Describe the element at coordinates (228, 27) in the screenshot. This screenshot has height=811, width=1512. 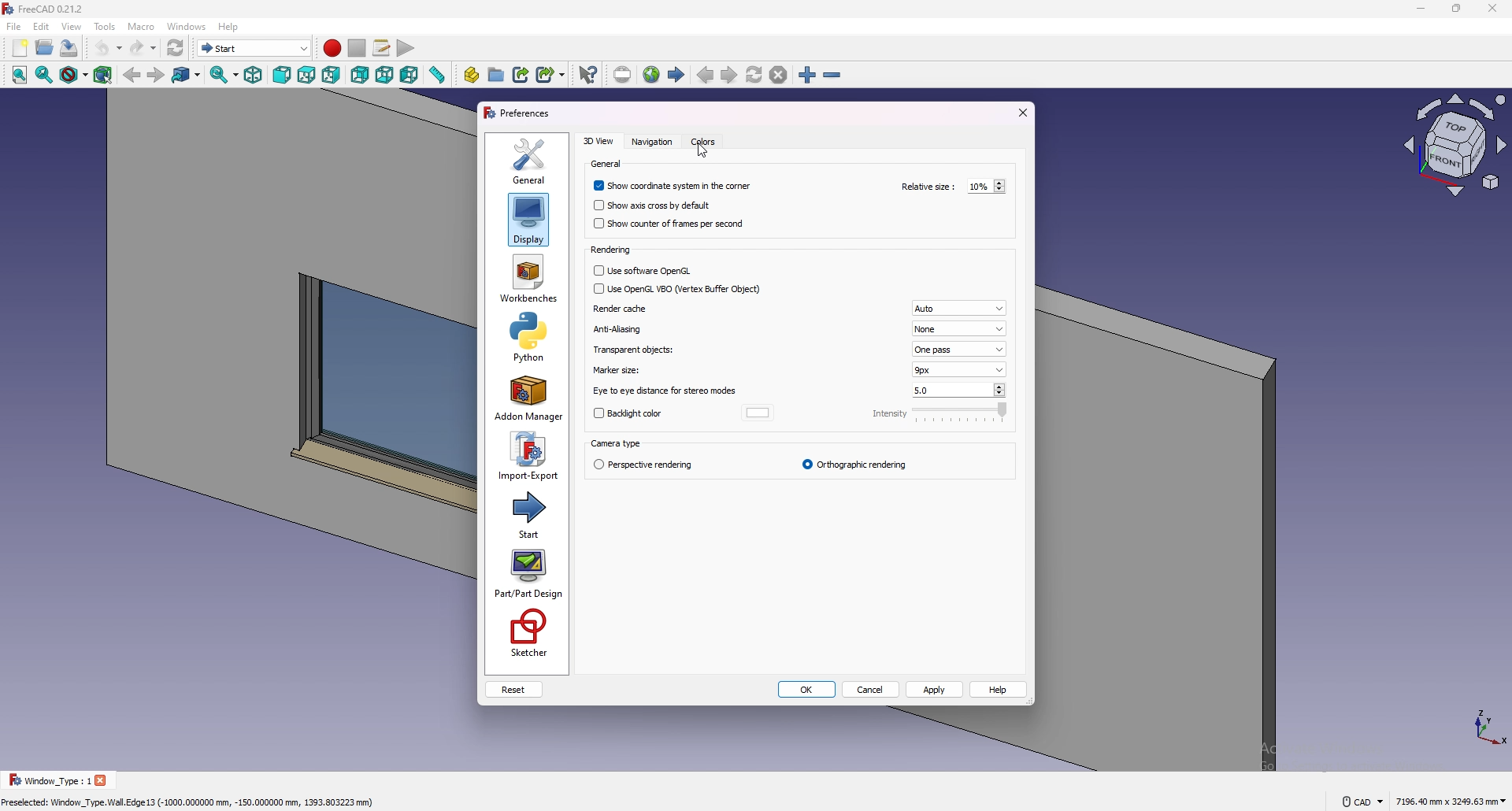
I see `help` at that location.